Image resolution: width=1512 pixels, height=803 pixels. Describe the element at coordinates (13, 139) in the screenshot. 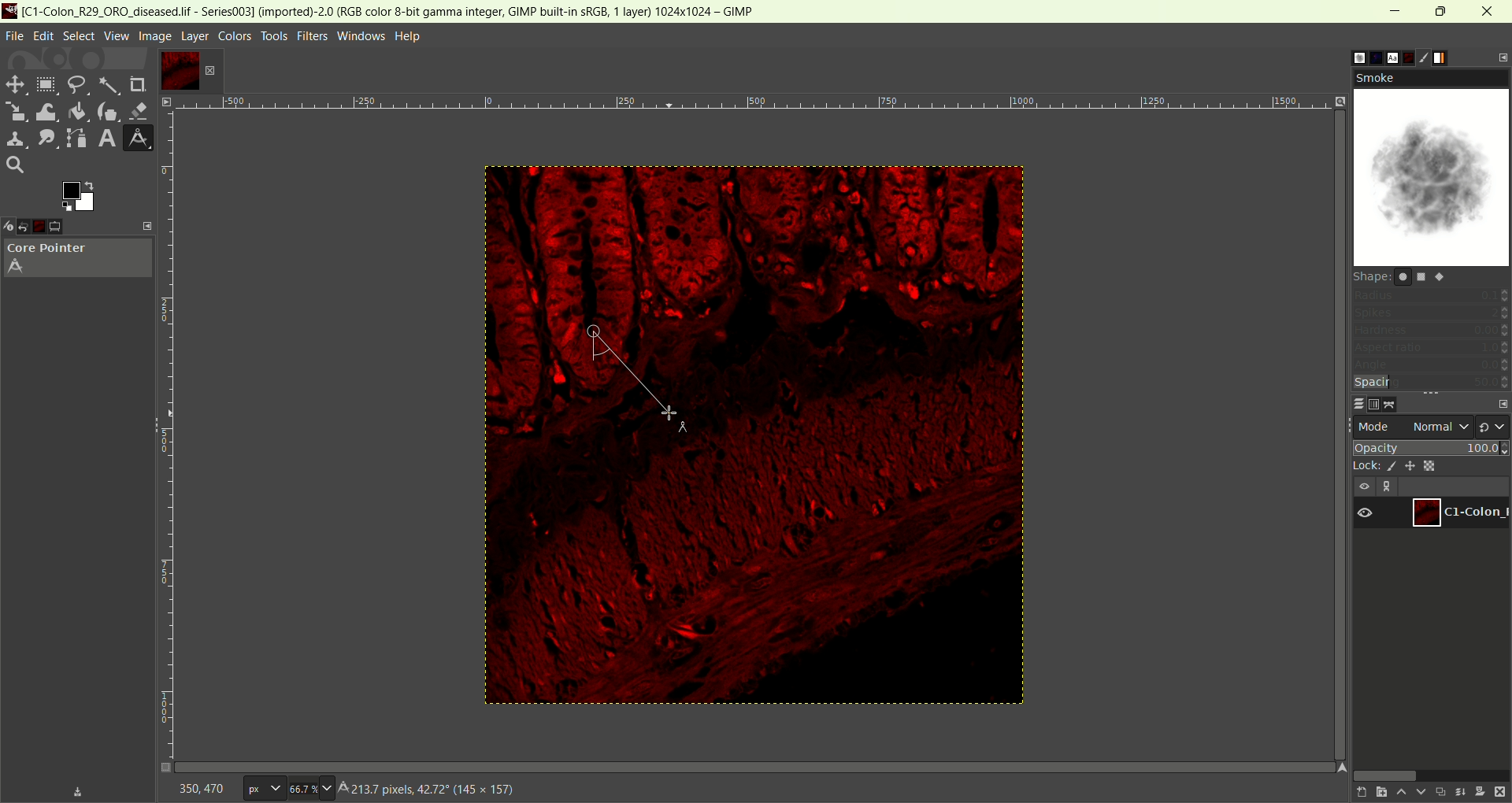

I see `clone tool` at that location.